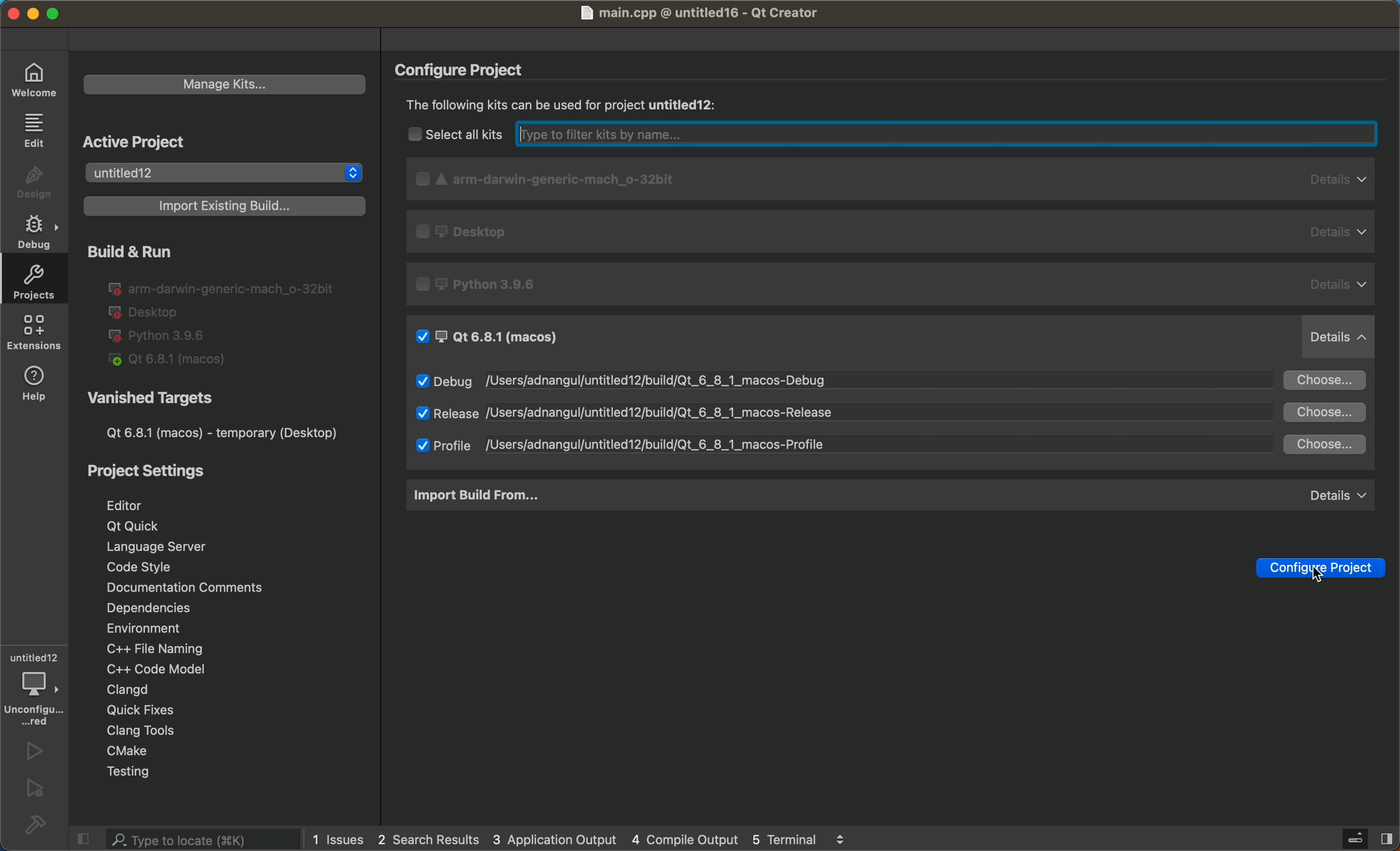 The height and width of the screenshot is (851, 1400). Describe the element at coordinates (44, 14) in the screenshot. I see `window controls ` at that location.